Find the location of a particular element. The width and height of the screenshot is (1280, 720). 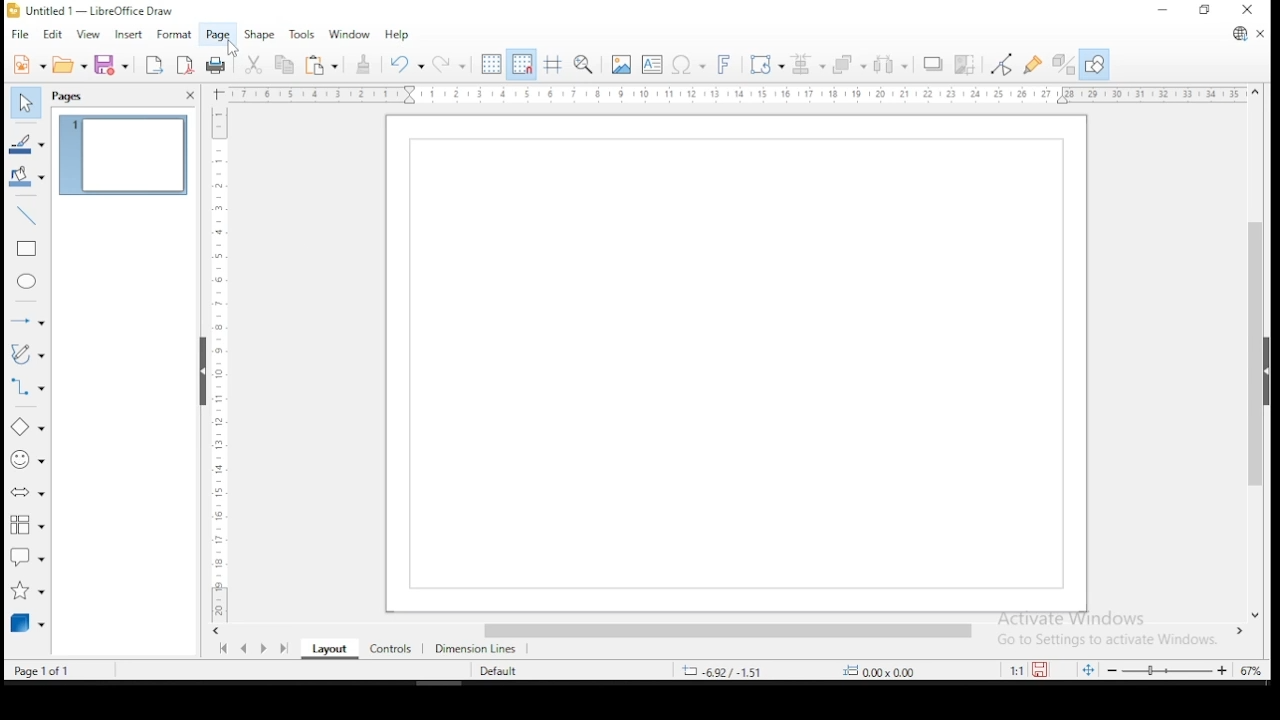

window is located at coordinates (349, 36).